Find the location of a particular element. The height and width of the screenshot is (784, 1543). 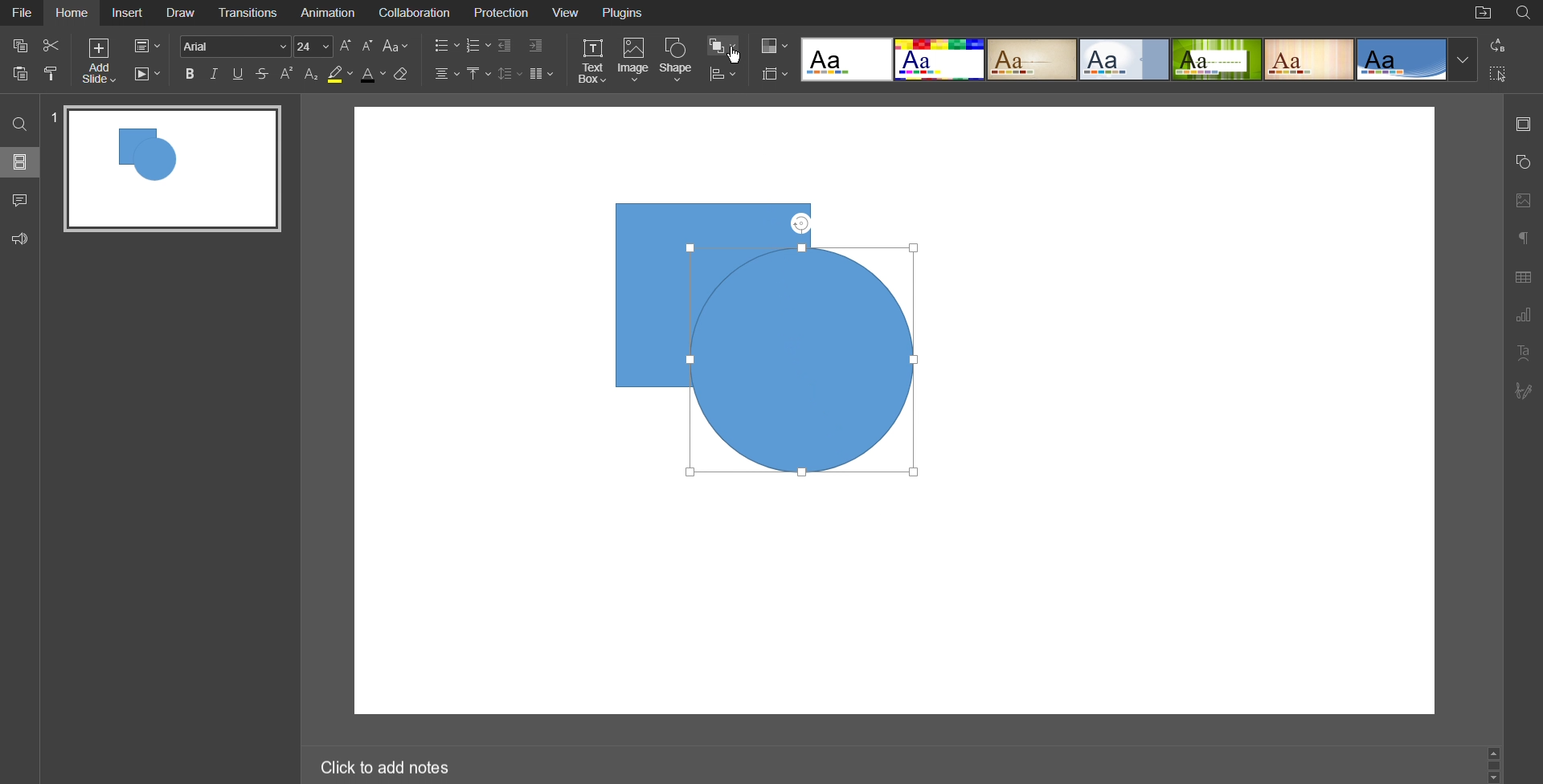

Arial is located at coordinates (235, 46).